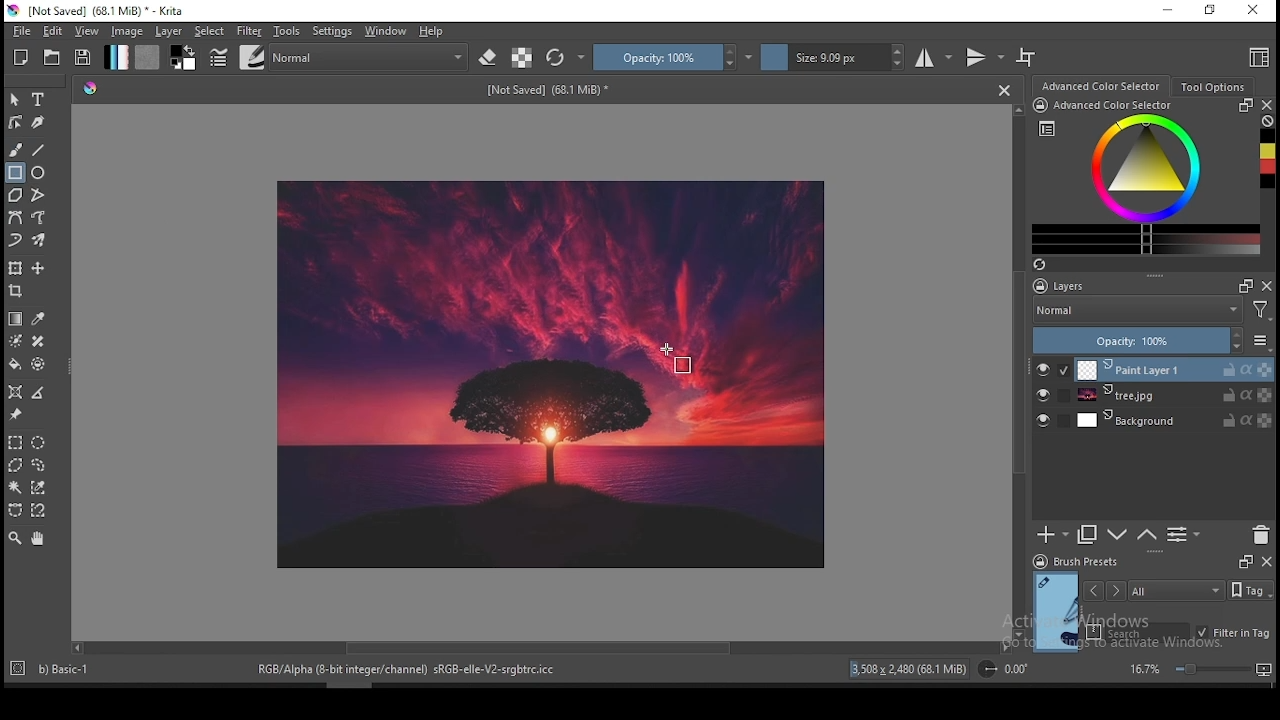 This screenshot has width=1280, height=720. Describe the element at coordinates (39, 99) in the screenshot. I see `text tool` at that location.